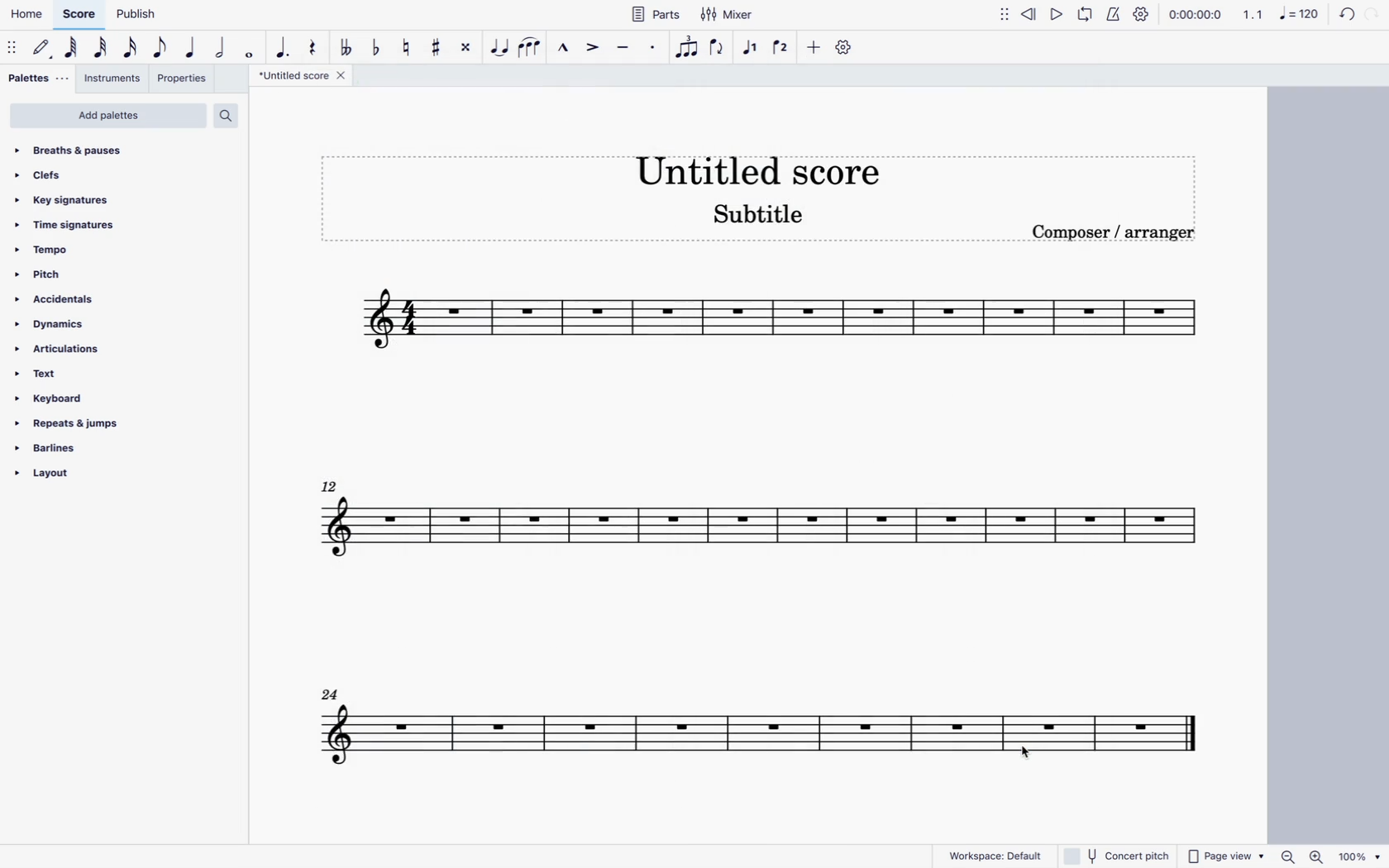 Image resolution: width=1389 pixels, height=868 pixels. I want to click on search, so click(231, 116).